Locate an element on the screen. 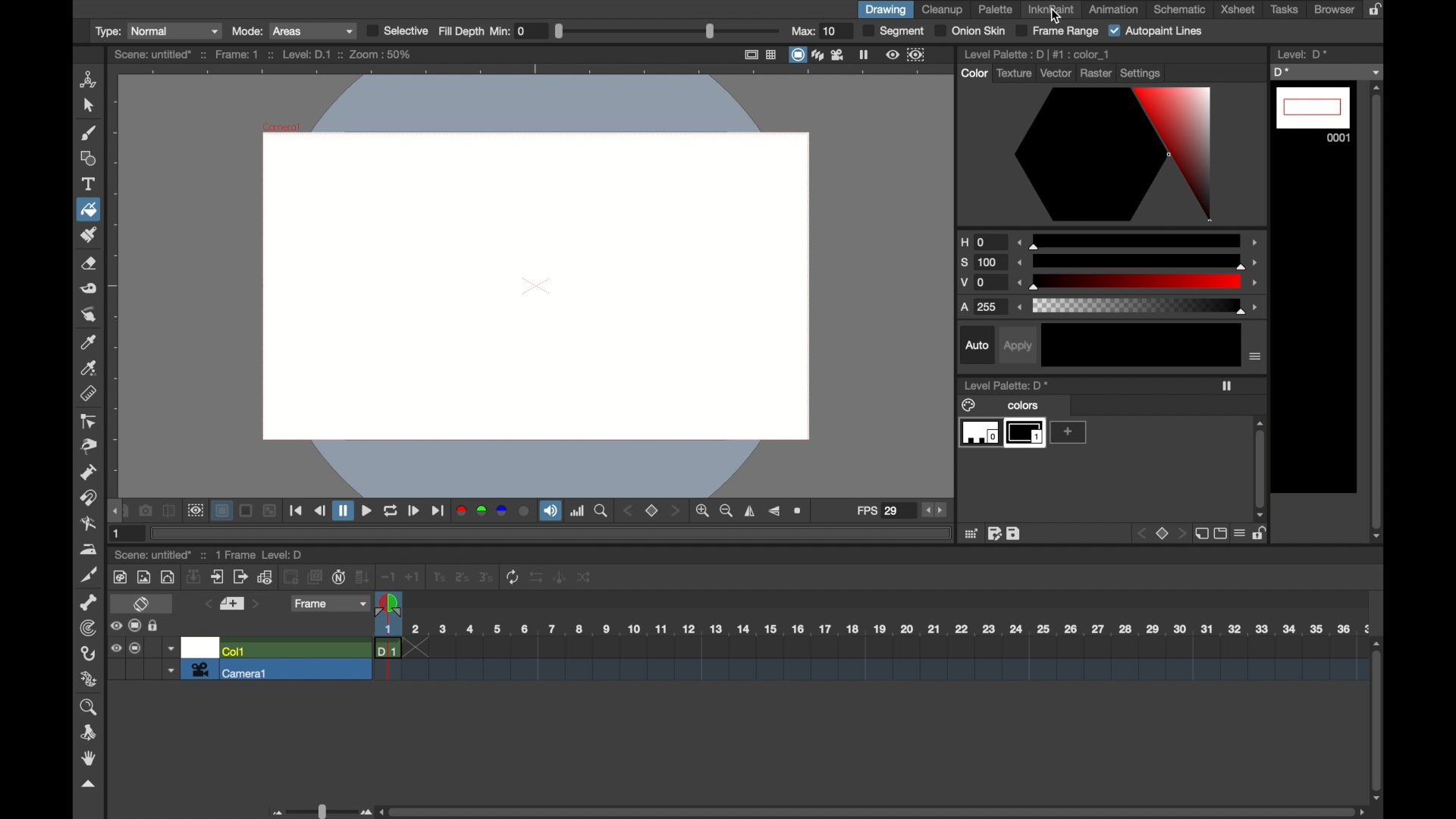 Image resolution: width=1456 pixels, height=819 pixels. scroll box is located at coordinates (1378, 720).